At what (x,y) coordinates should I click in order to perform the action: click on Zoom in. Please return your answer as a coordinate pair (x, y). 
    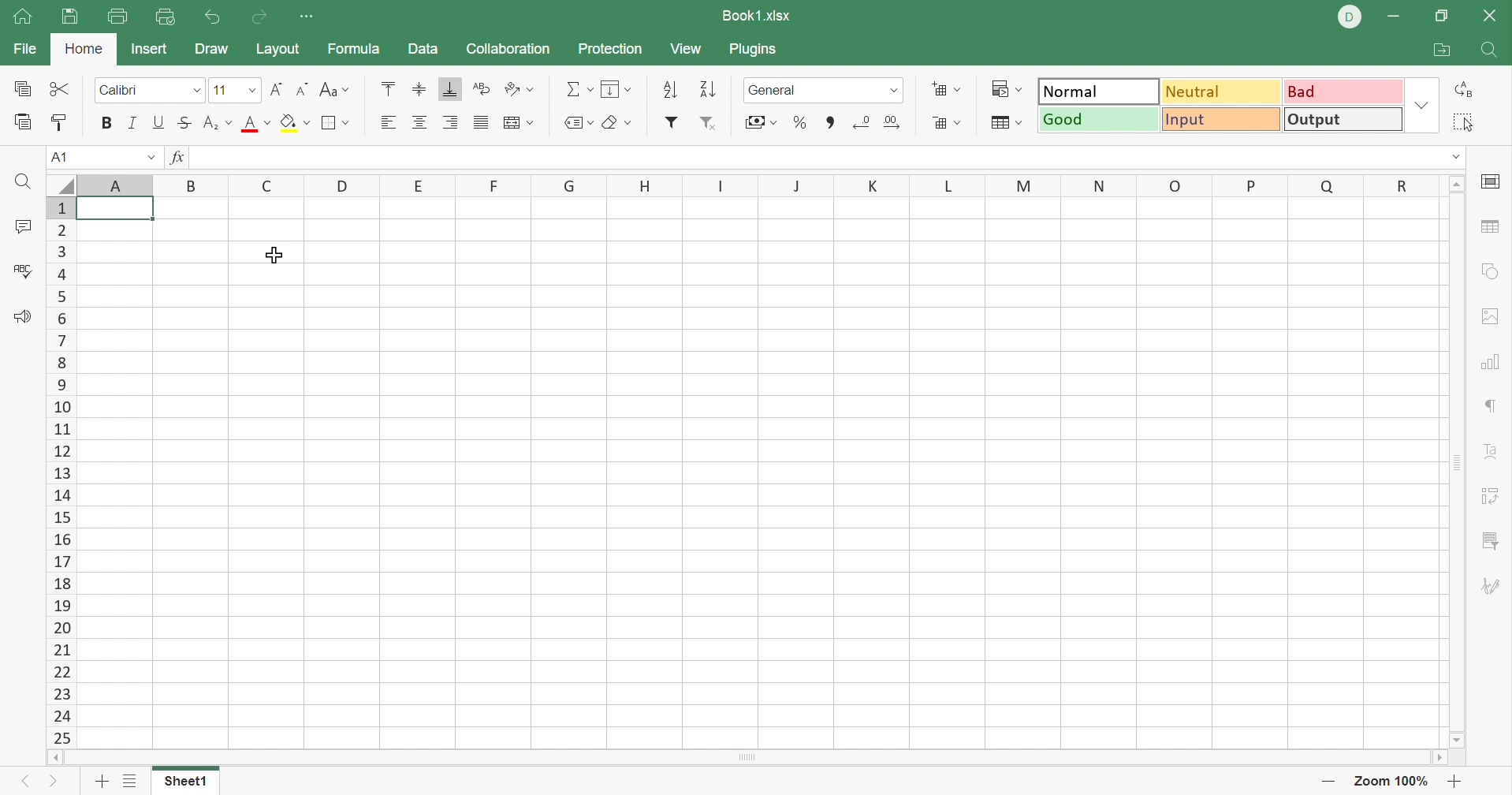
    Looking at the image, I should click on (1456, 780).